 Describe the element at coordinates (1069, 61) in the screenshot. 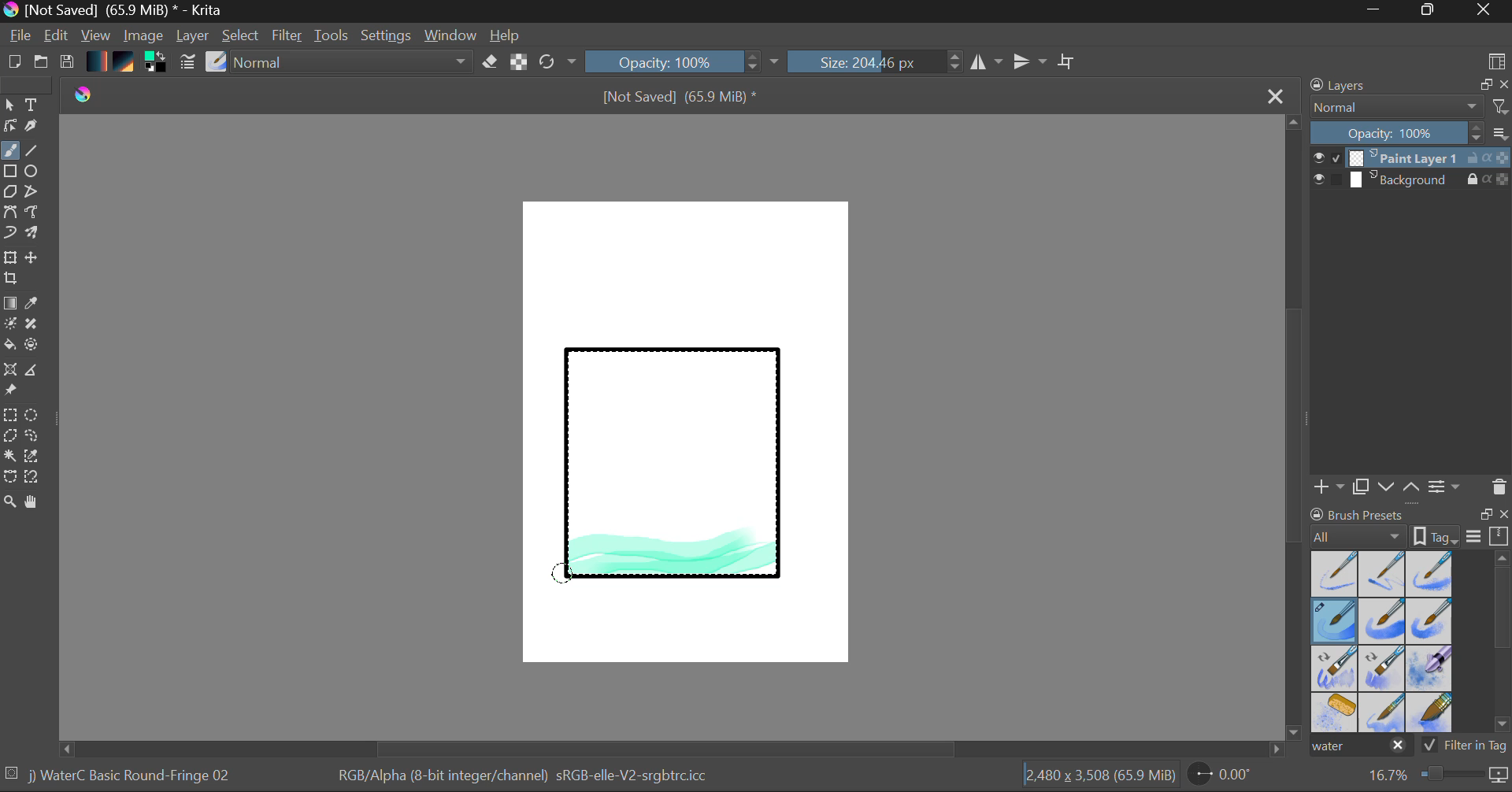

I see `Crop` at that location.